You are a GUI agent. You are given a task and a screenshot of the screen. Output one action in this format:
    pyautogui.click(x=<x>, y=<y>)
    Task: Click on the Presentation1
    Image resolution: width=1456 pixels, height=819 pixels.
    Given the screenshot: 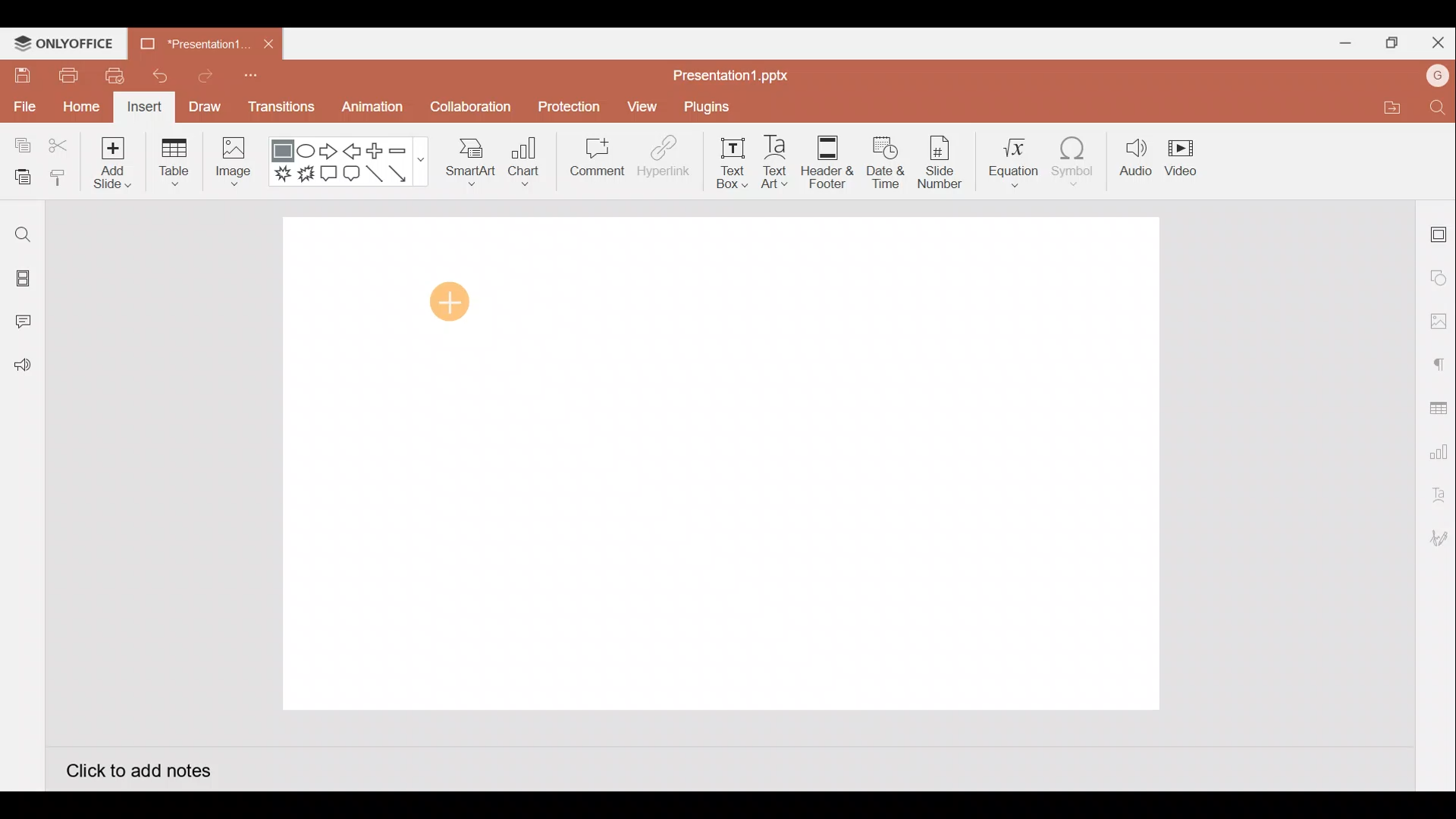 What is the action you would take?
    pyautogui.click(x=190, y=44)
    